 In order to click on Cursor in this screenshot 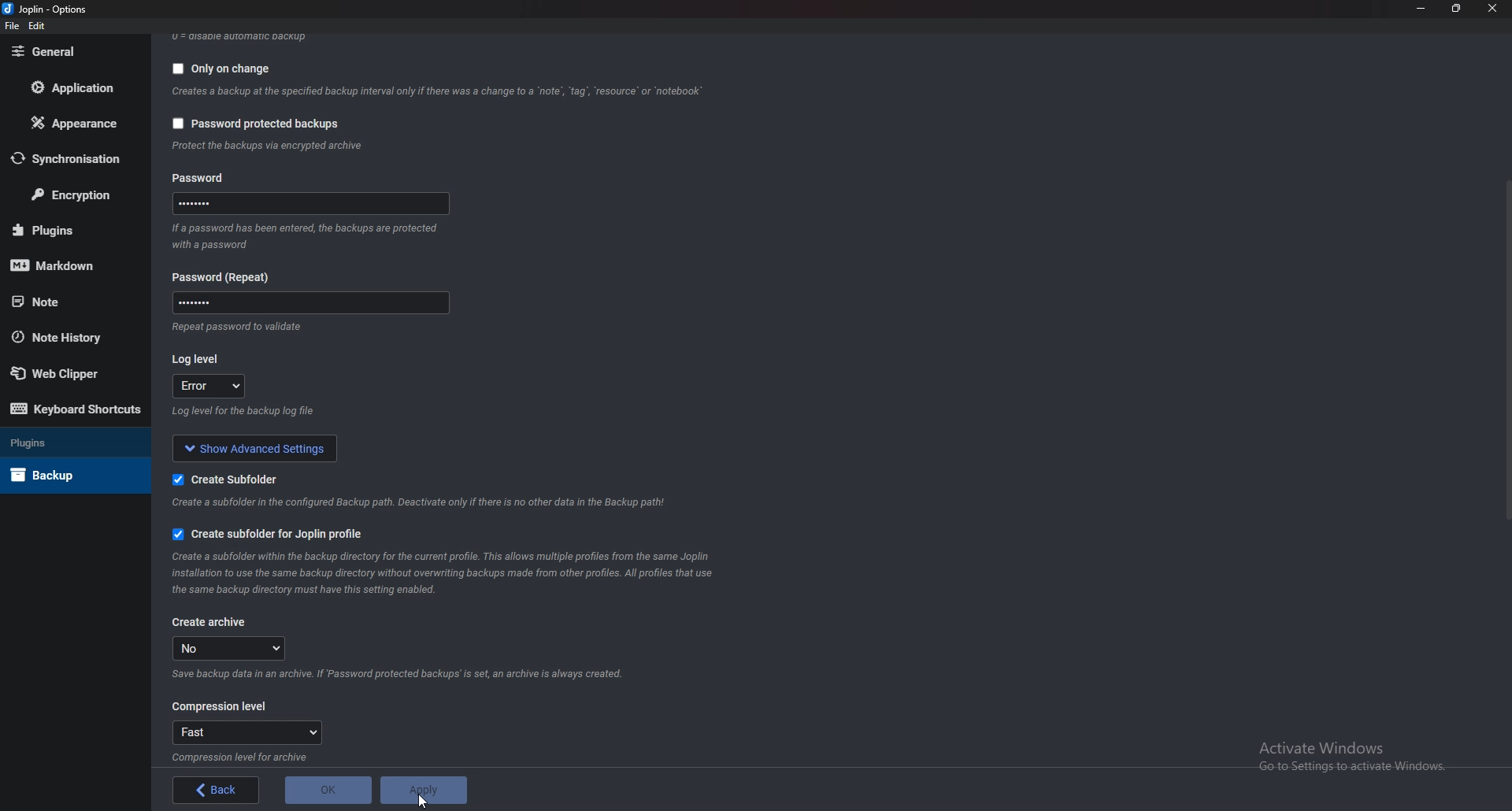, I will do `click(425, 802)`.